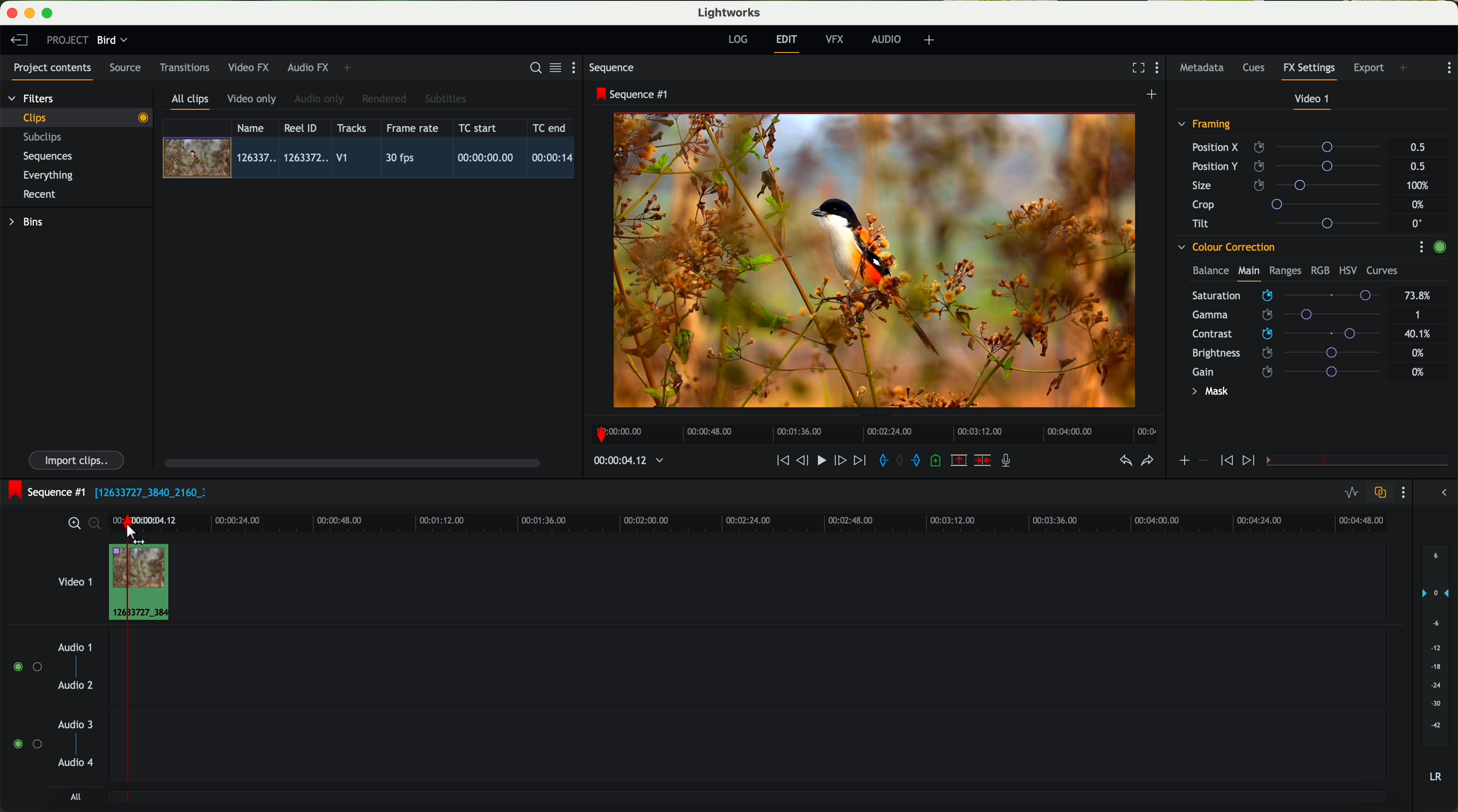 Image resolution: width=1458 pixels, height=812 pixels. Describe the element at coordinates (44, 492) in the screenshot. I see `sequence #1` at that location.